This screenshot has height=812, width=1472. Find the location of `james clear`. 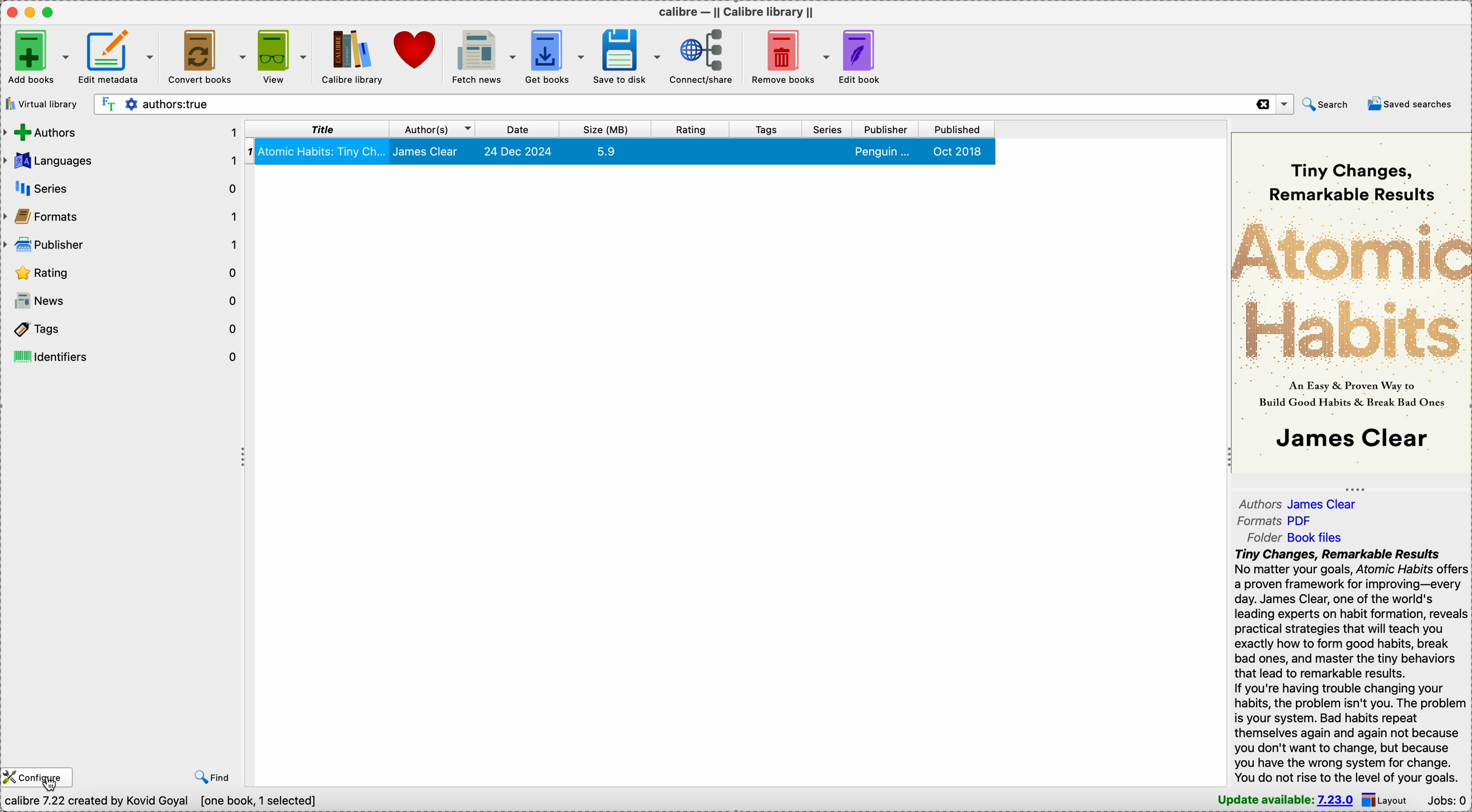

james clear is located at coordinates (430, 152).